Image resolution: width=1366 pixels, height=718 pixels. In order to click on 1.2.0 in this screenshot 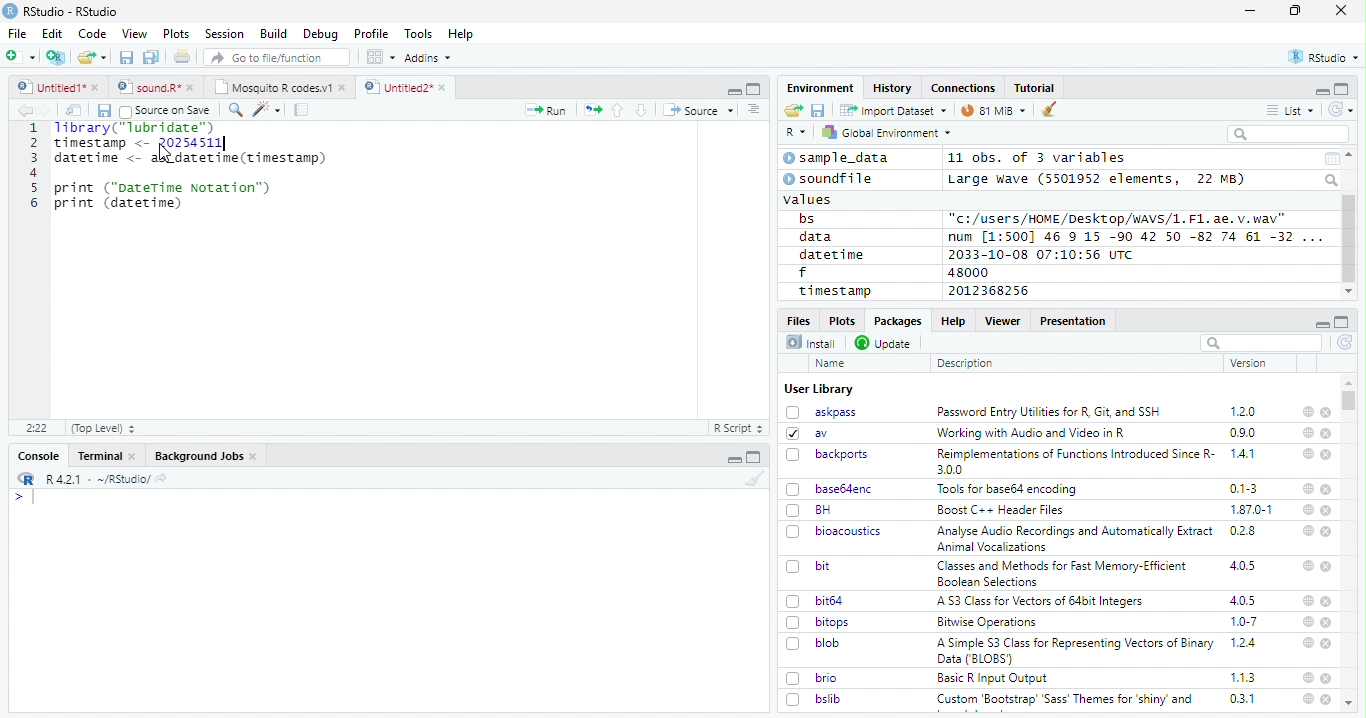, I will do `click(1245, 411)`.